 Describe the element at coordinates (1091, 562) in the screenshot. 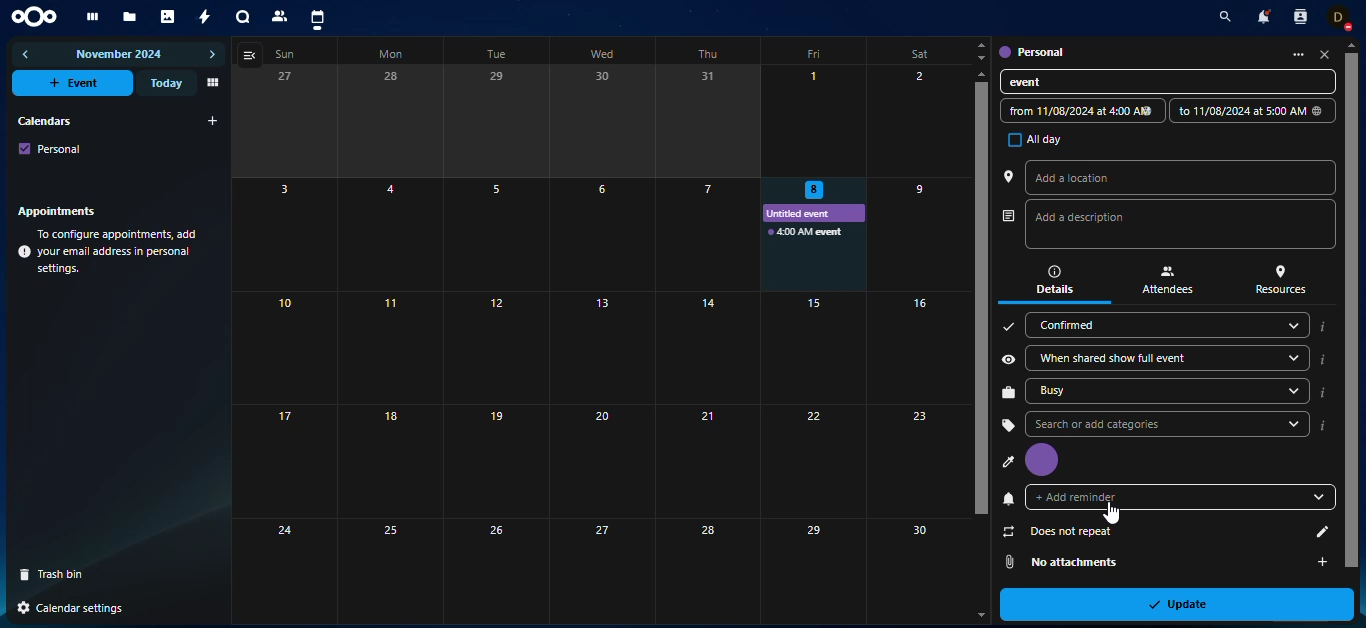

I see `no attachments` at that location.